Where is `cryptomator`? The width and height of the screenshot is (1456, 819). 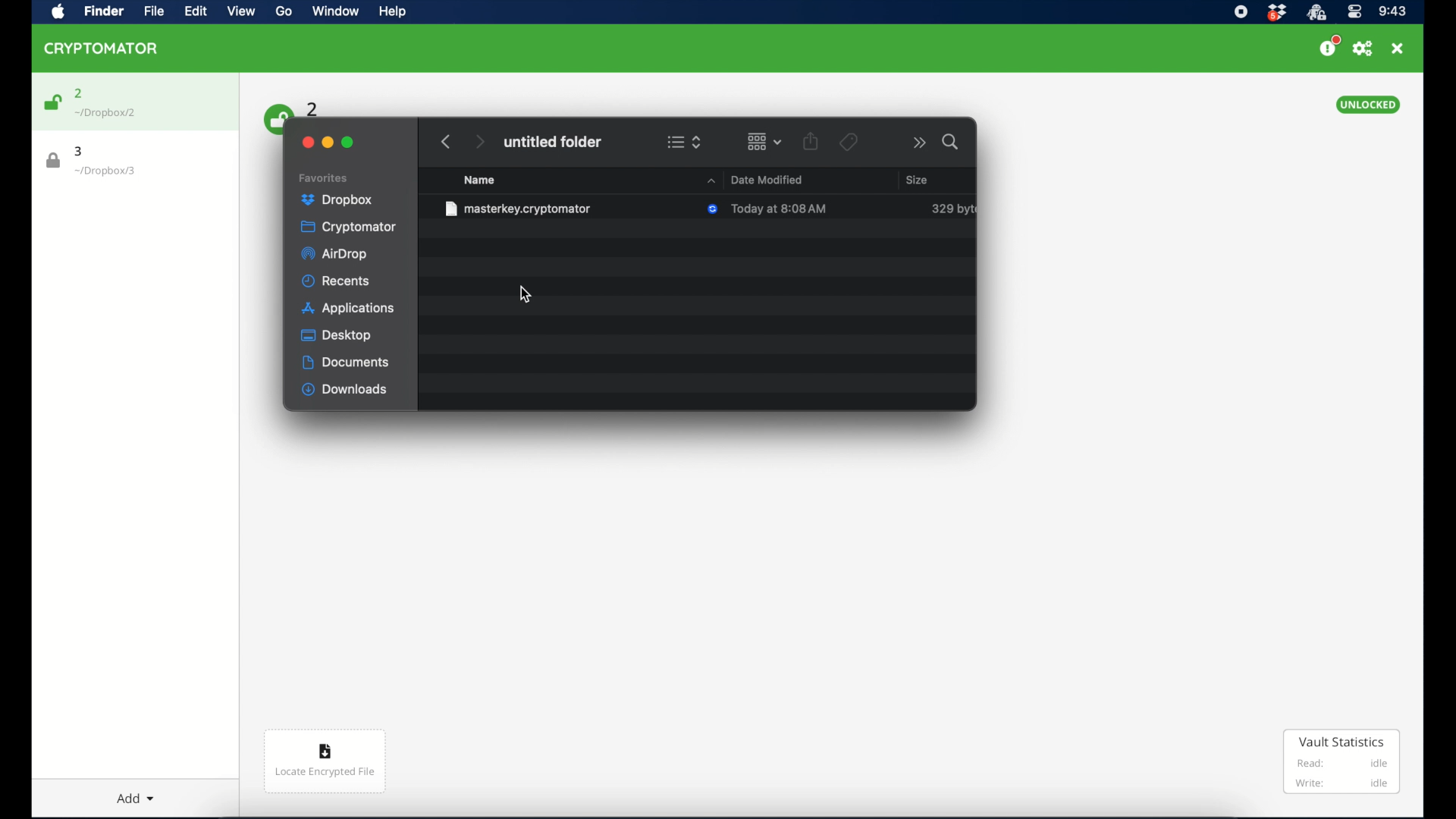 cryptomator is located at coordinates (348, 227).